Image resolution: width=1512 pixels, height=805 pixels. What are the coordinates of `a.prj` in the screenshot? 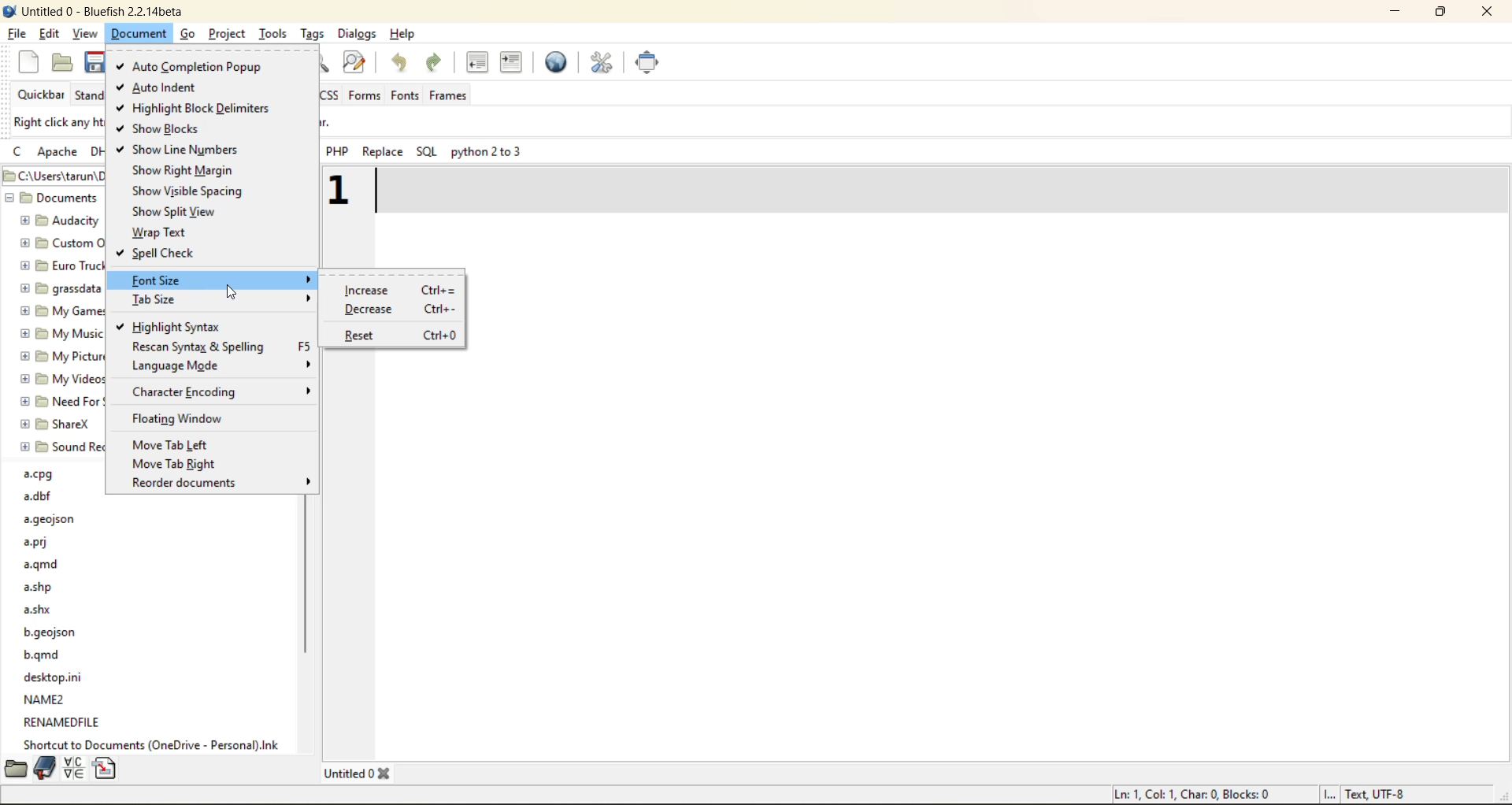 It's located at (39, 542).